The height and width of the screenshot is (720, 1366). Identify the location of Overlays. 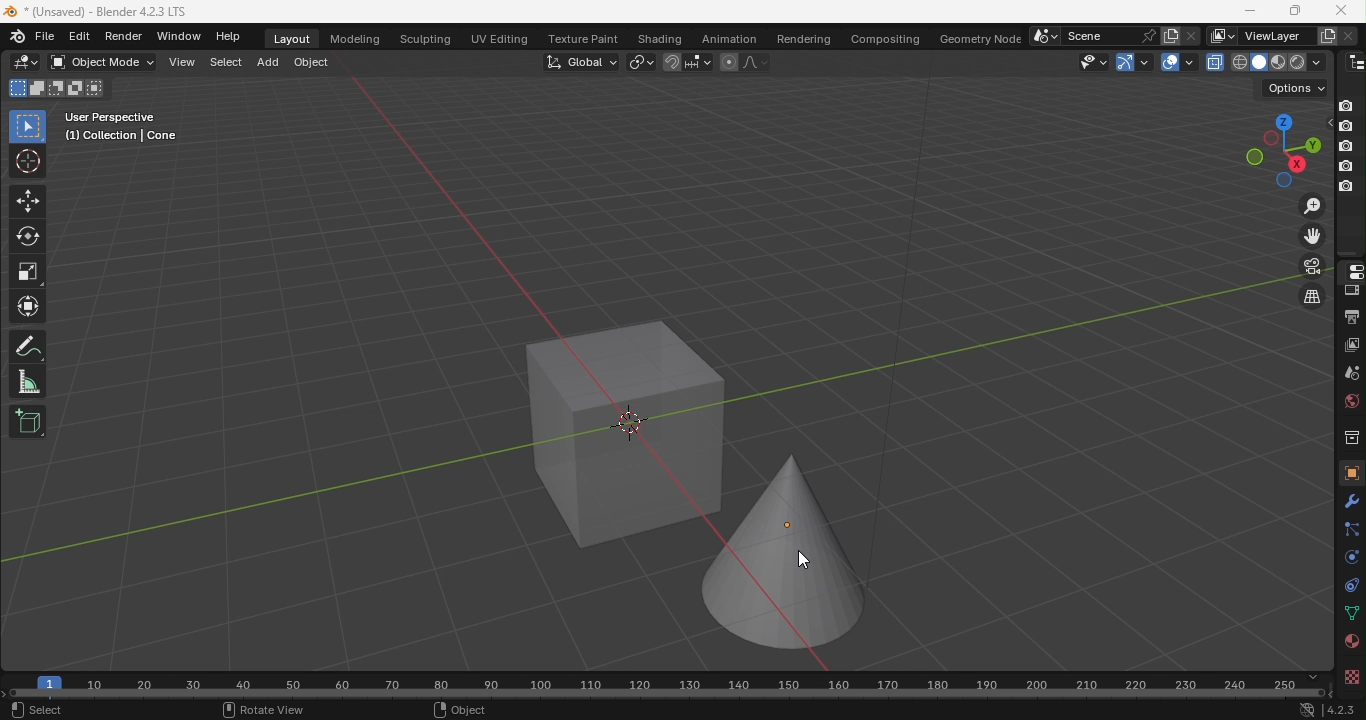
(1189, 62).